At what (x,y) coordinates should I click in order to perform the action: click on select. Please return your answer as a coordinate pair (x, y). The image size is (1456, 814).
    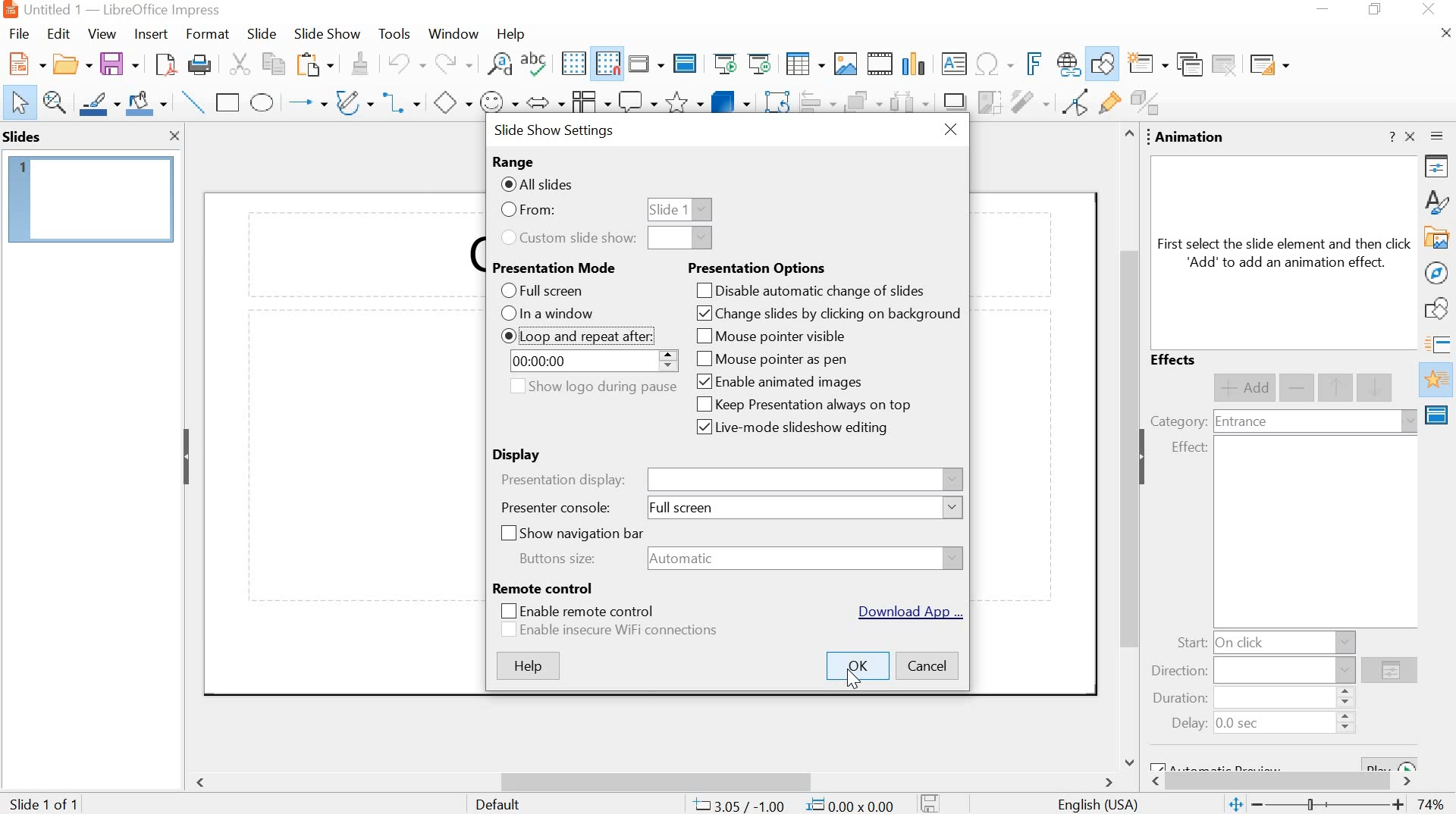
    Looking at the image, I should click on (20, 104).